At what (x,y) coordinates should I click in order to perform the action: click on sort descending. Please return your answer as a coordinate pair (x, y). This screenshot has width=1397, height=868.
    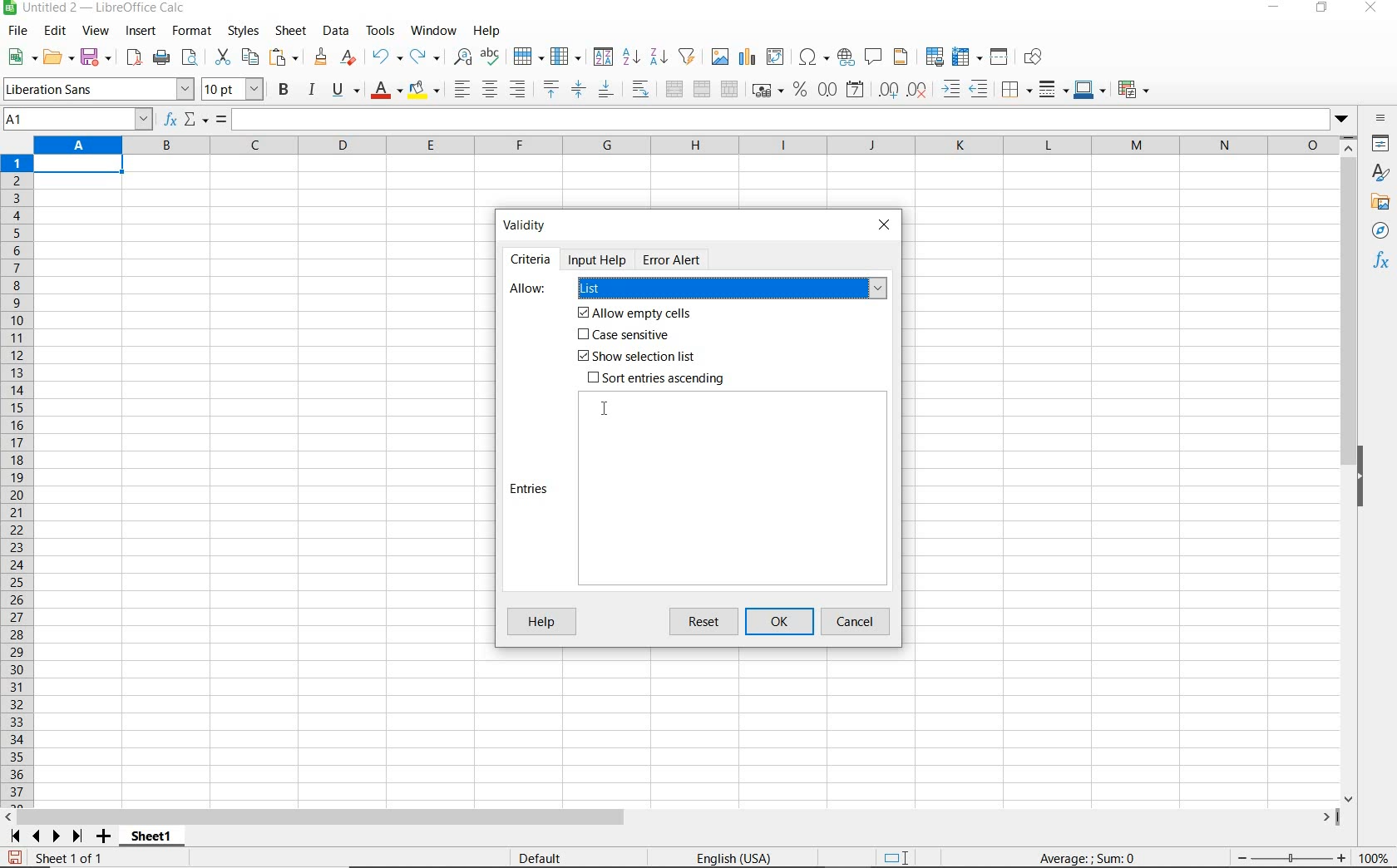
    Looking at the image, I should click on (659, 56).